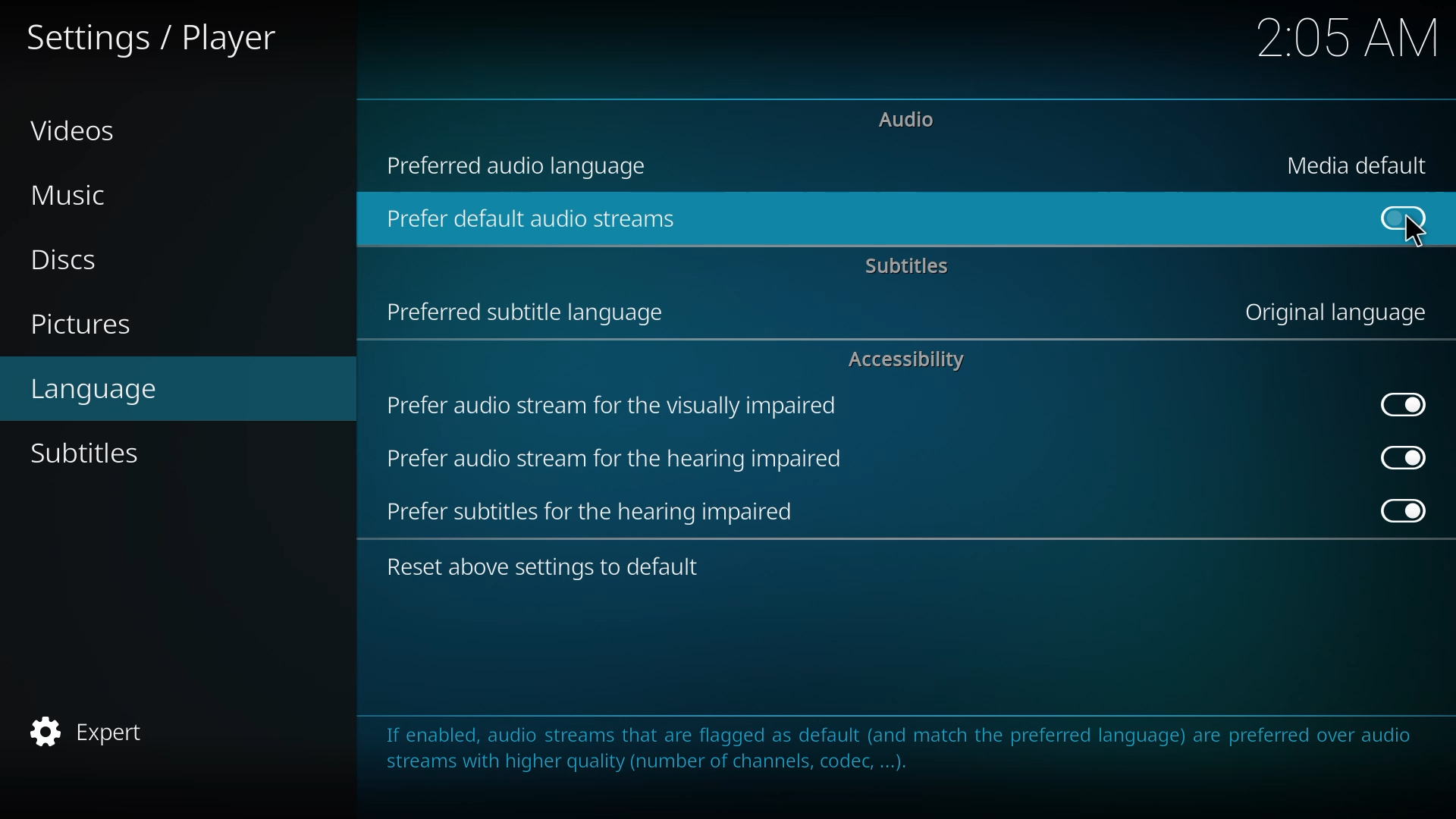 This screenshot has width=1456, height=819. Describe the element at coordinates (908, 118) in the screenshot. I see `audio` at that location.